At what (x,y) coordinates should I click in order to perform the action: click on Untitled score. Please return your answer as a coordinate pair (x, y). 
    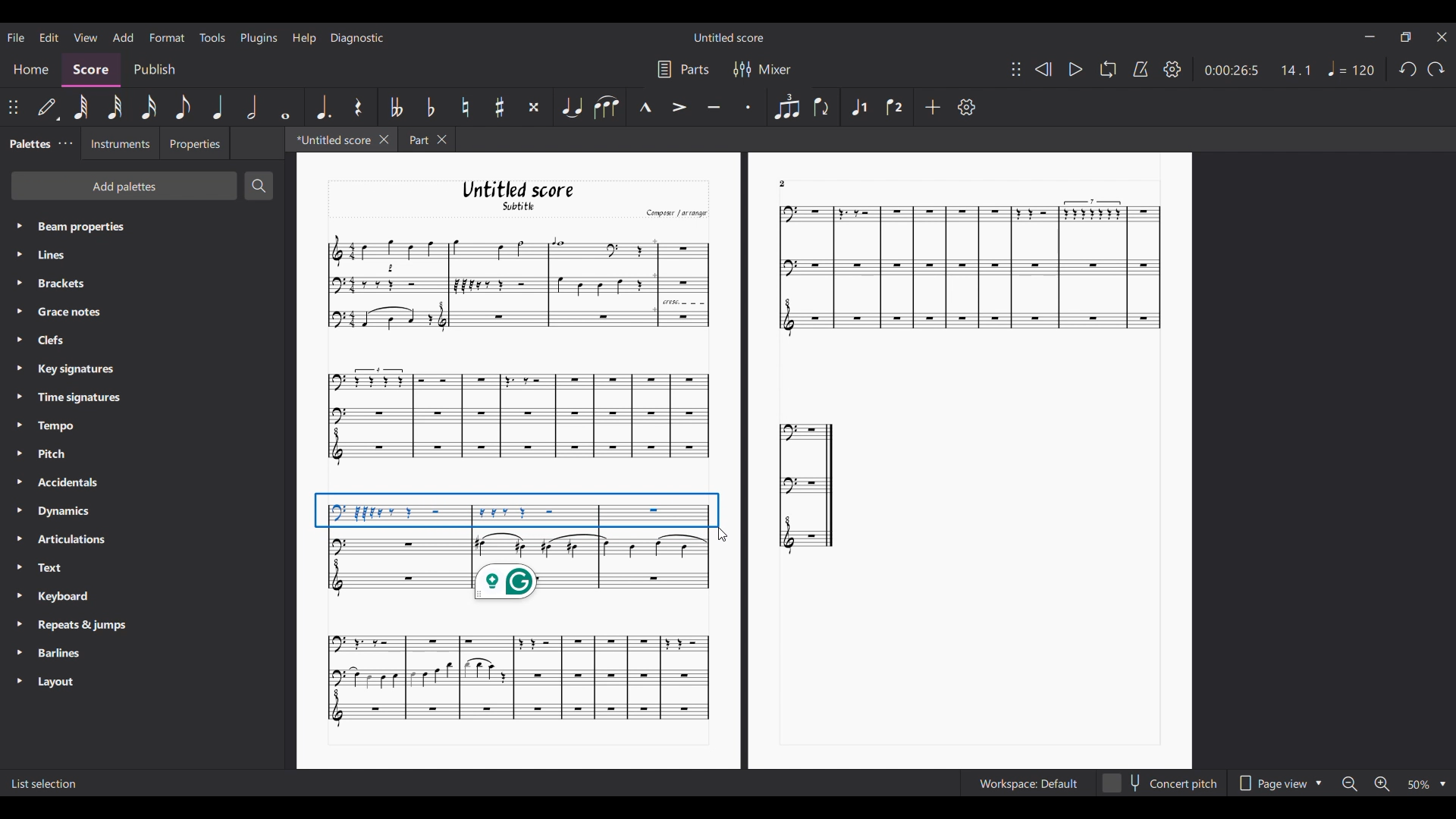
    Looking at the image, I should click on (729, 38).